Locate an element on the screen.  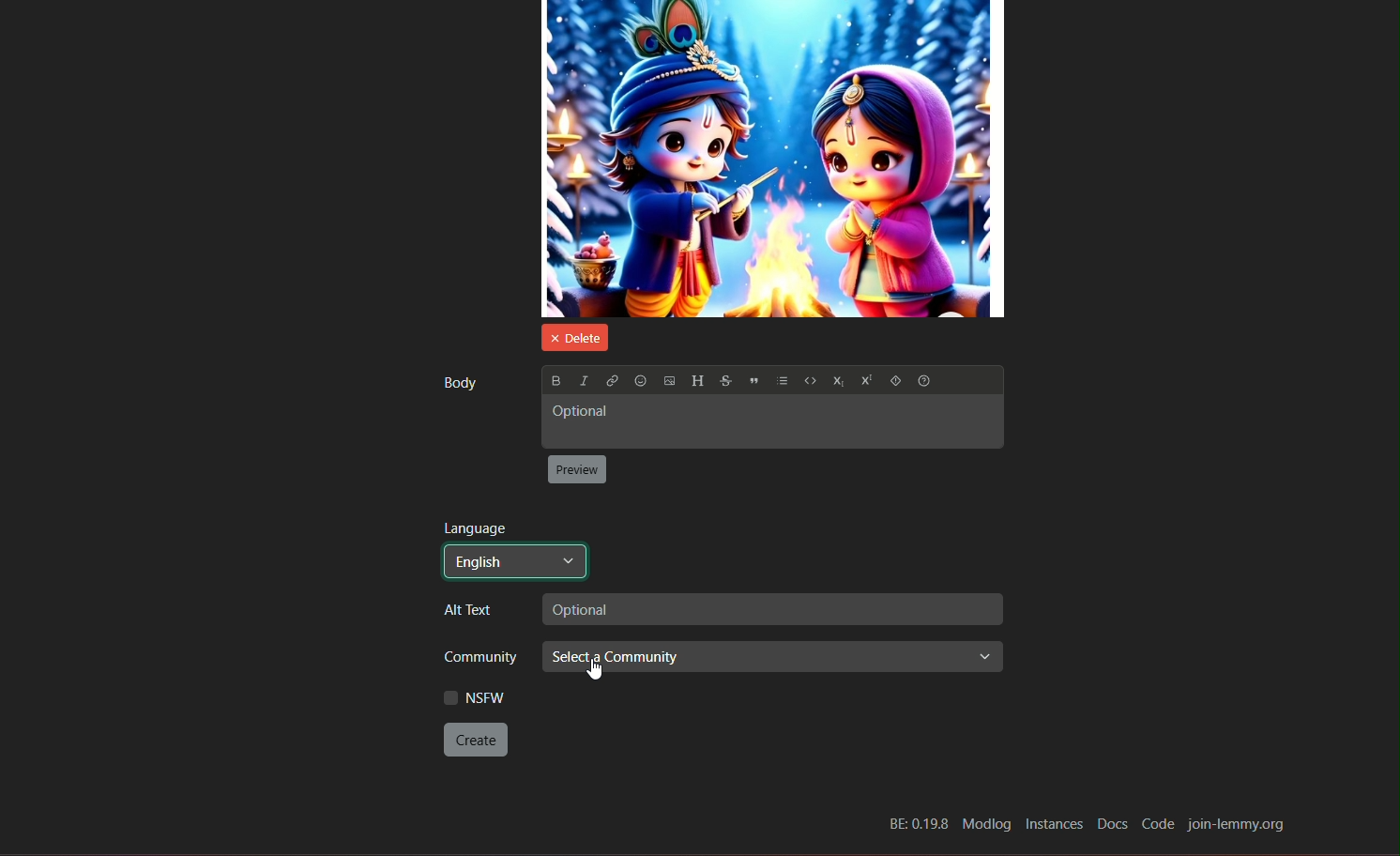
 is located at coordinates (927, 382).